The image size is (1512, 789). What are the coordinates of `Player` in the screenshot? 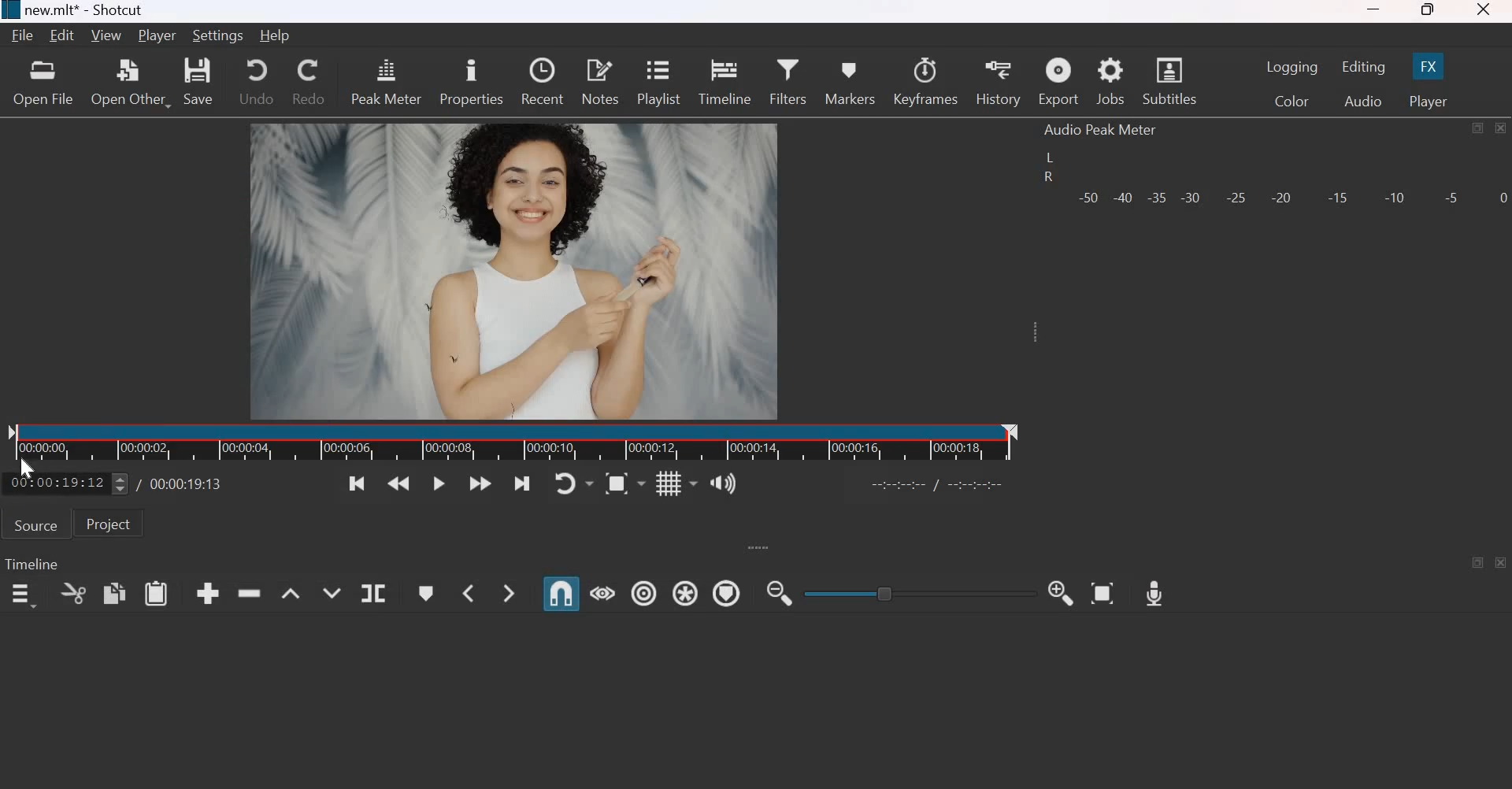 It's located at (157, 36).